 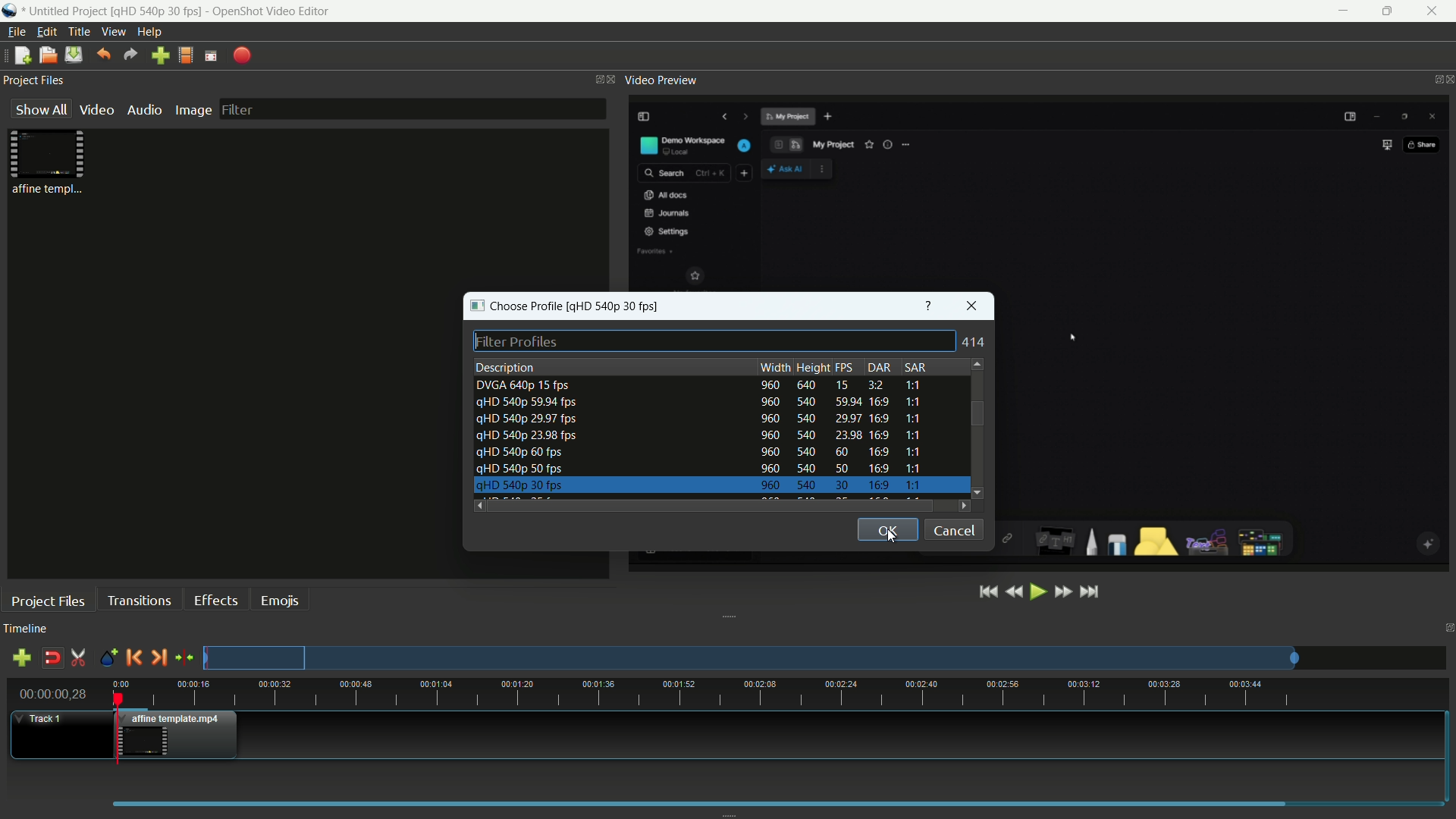 I want to click on maximize, so click(x=1391, y=11).